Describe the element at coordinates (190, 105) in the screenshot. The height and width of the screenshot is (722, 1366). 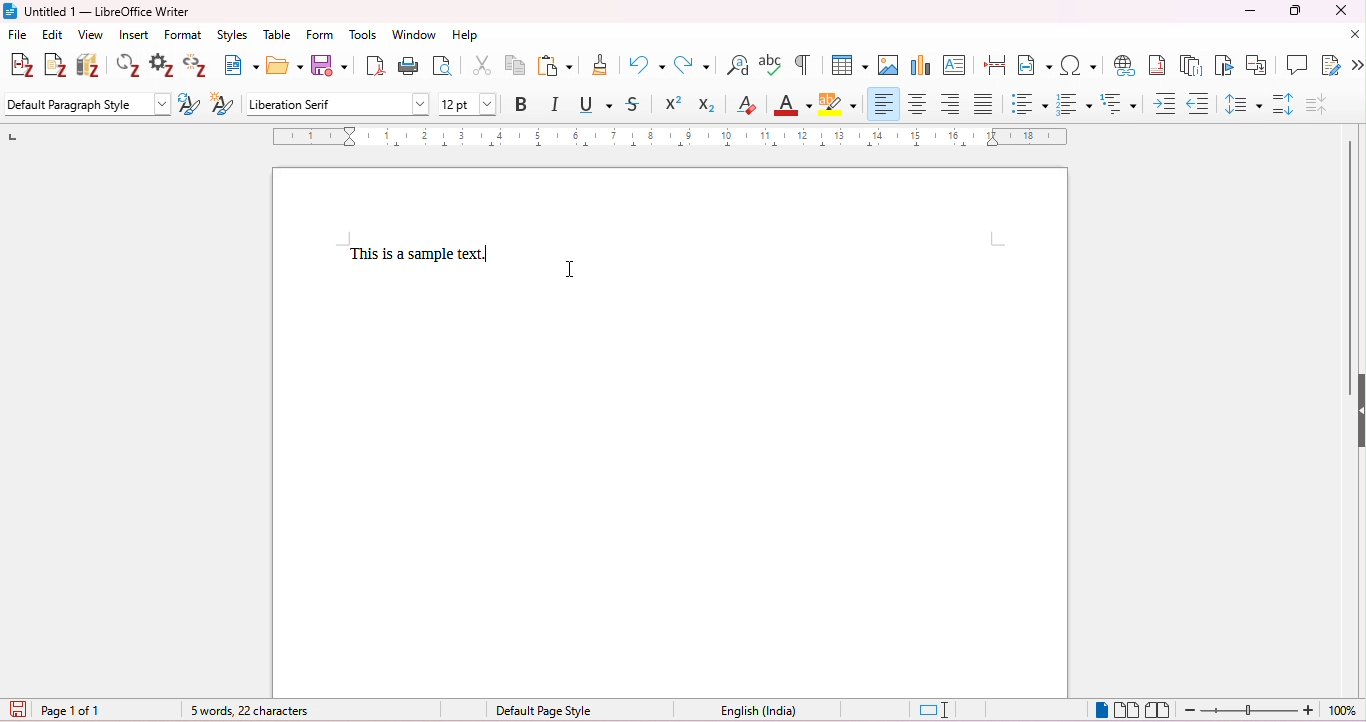
I see `update style` at that location.